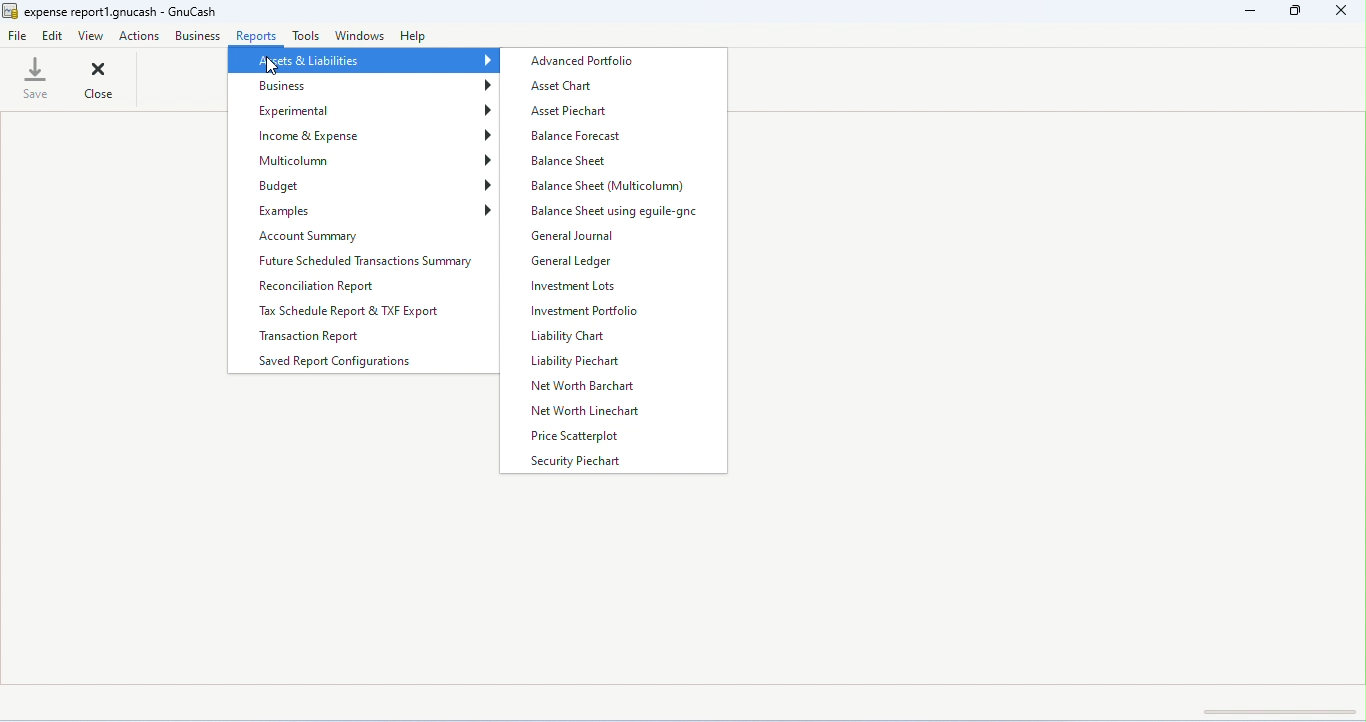 The image size is (1366, 722). I want to click on investment portfolio, so click(587, 312).